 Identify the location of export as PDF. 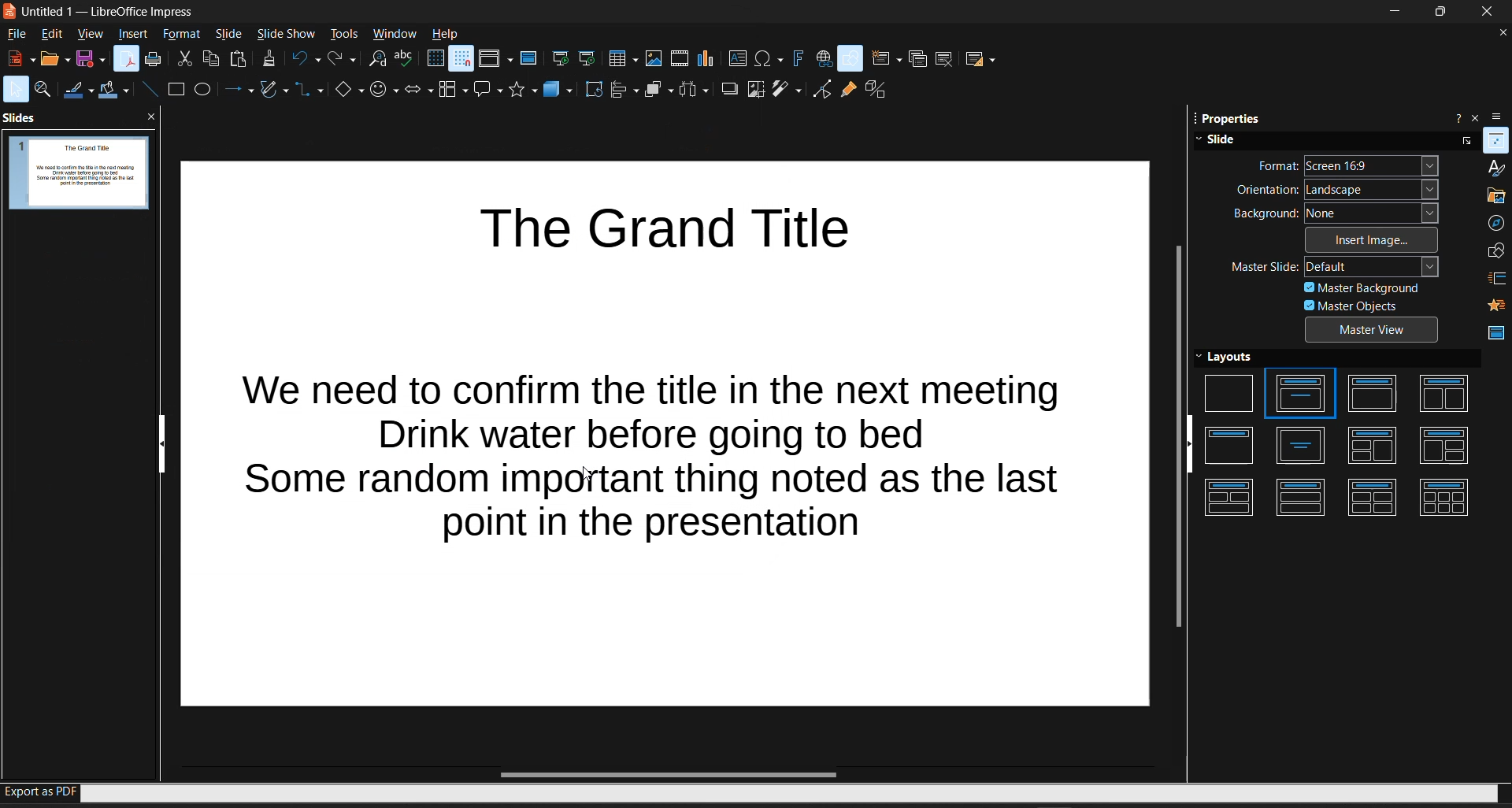
(127, 58).